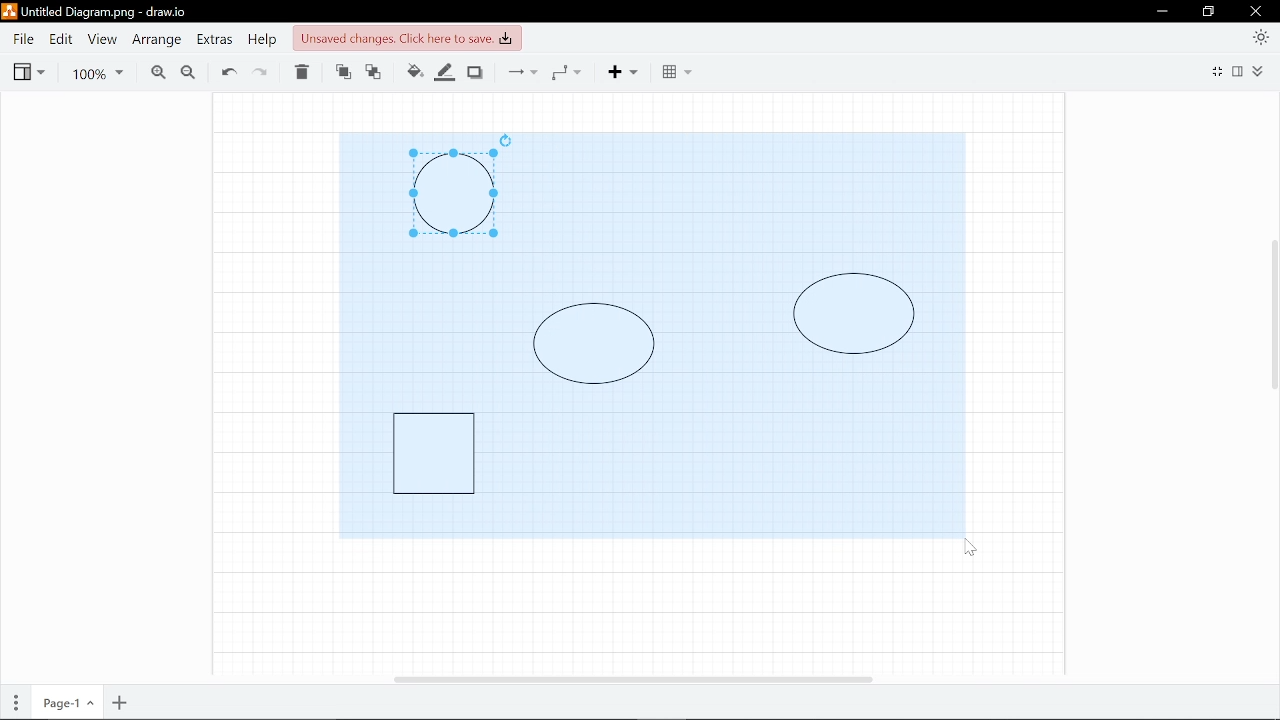 The height and width of the screenshot is (720, 1280). Describe the element at coordinates (405, 37) in the screenshot. I see `Unsaved changes. Click here to save` at that location.